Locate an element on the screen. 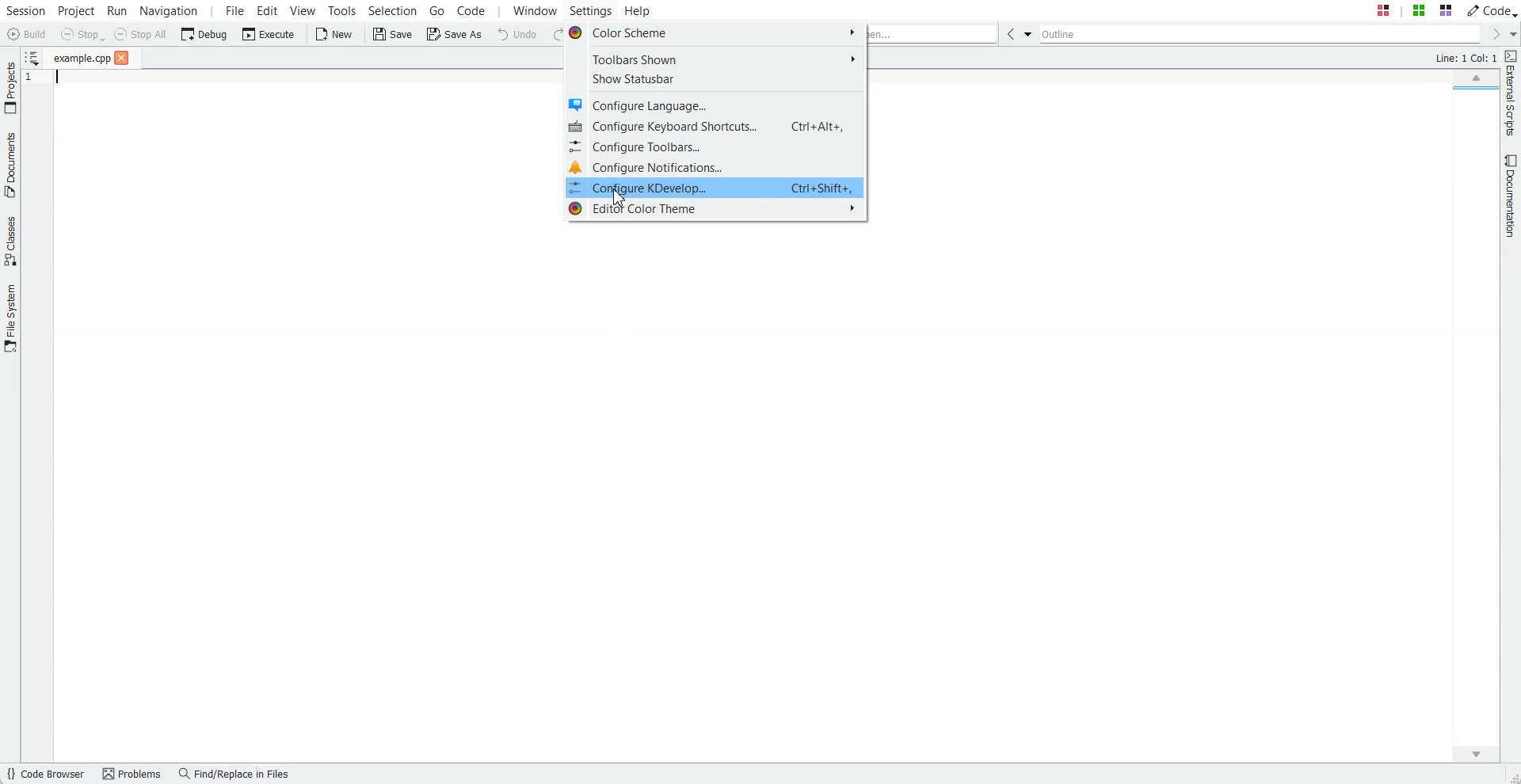 The width and height of the screenshot is (1521, 784). Text Cursor is located at coordinates (47, 77).